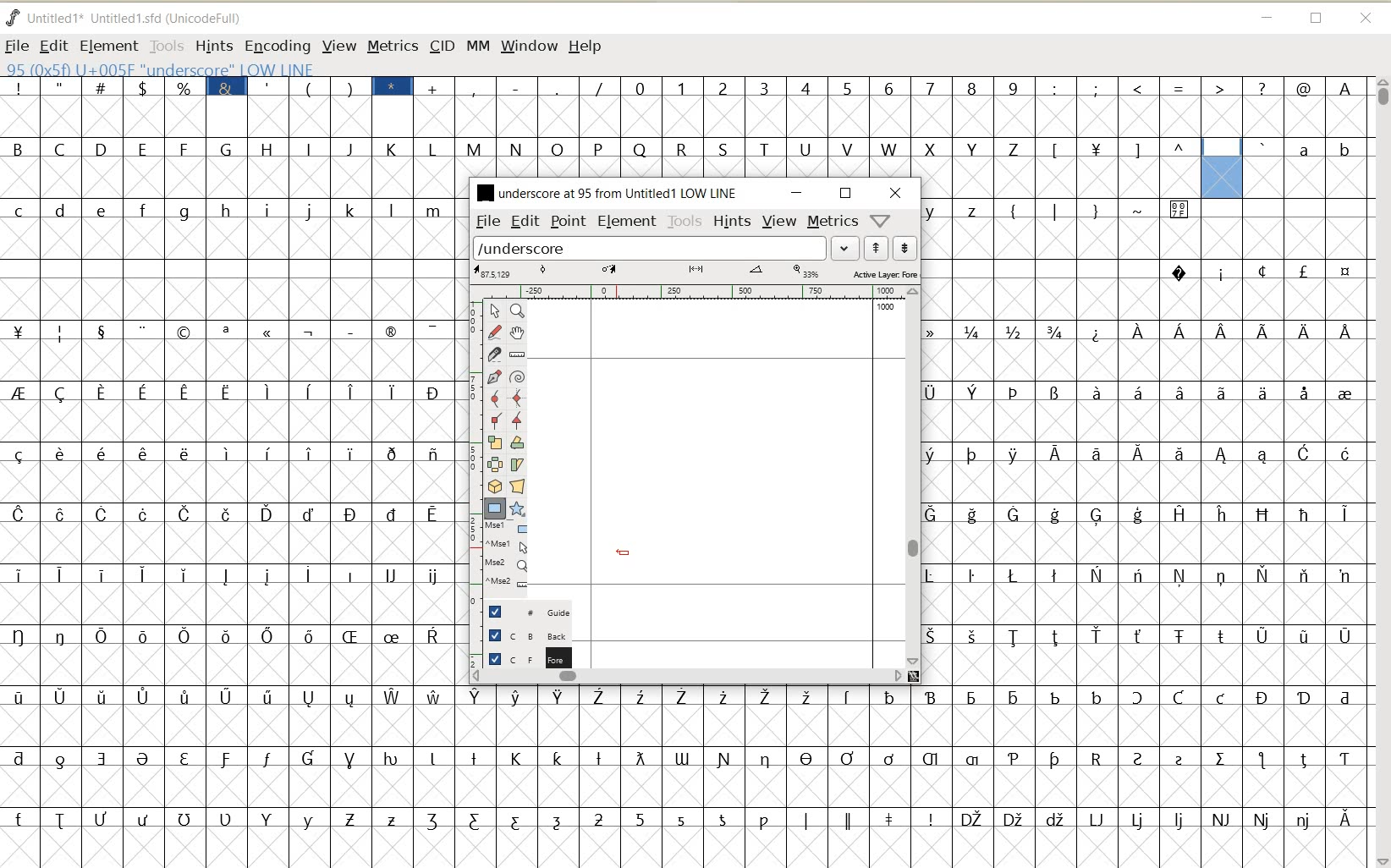  What do you see at coordinates (1367, 19) in the screenshot?
I see `CLOSE` at bounding box center [1367, 19].